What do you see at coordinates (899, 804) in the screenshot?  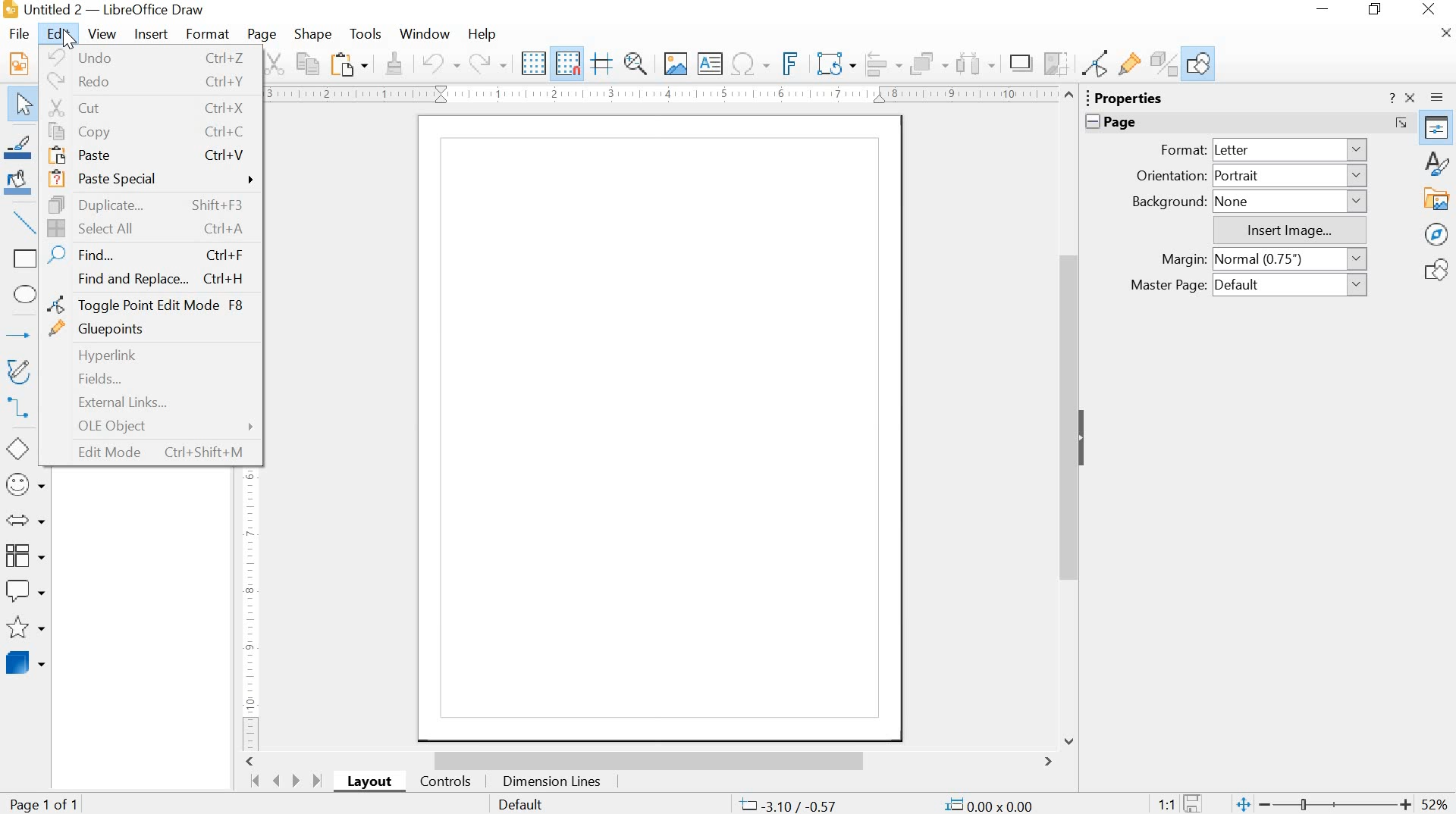 I see `coordinates` at bounding box center [899, 804].